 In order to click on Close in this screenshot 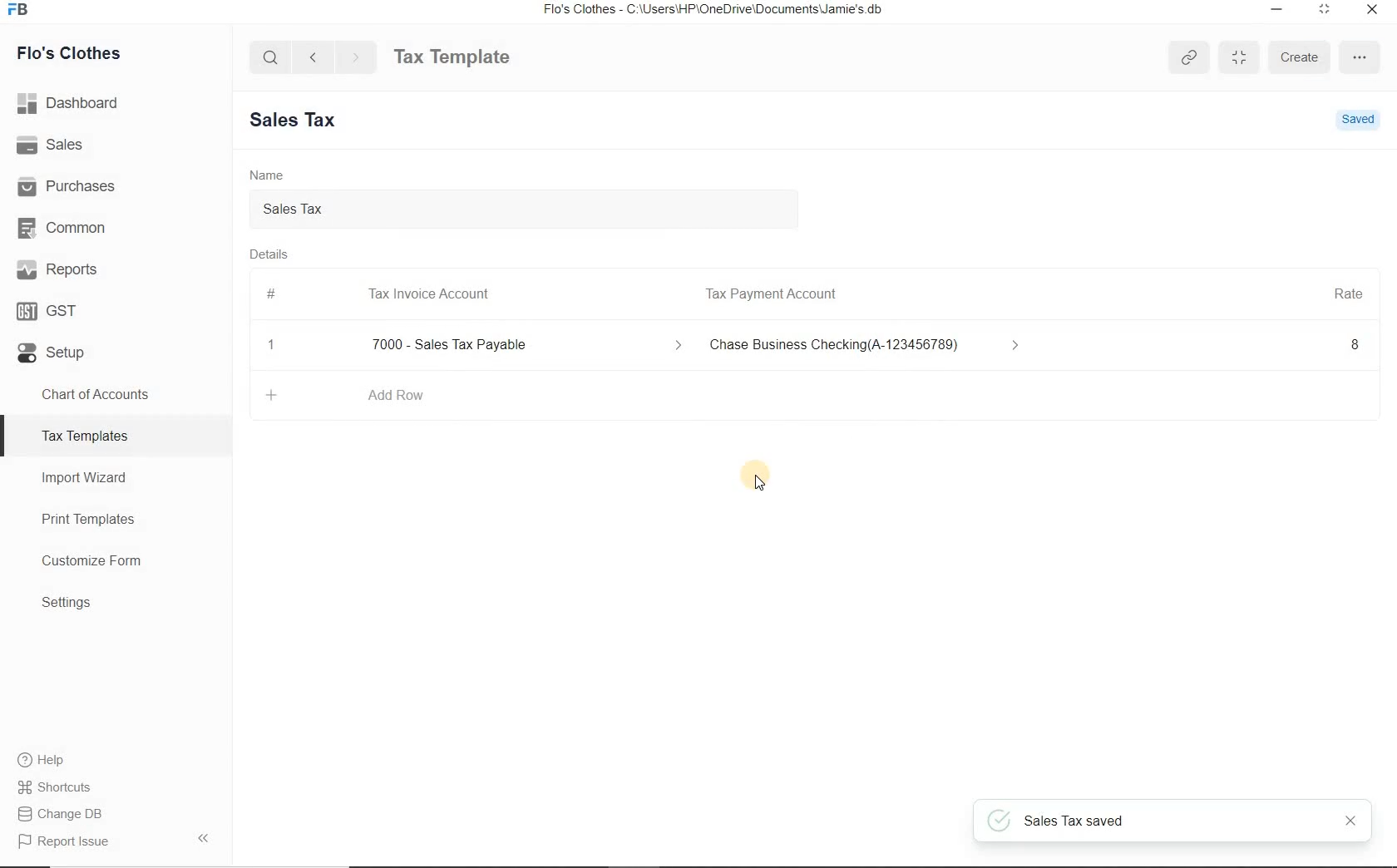, I will do `click(1351, 821)`.